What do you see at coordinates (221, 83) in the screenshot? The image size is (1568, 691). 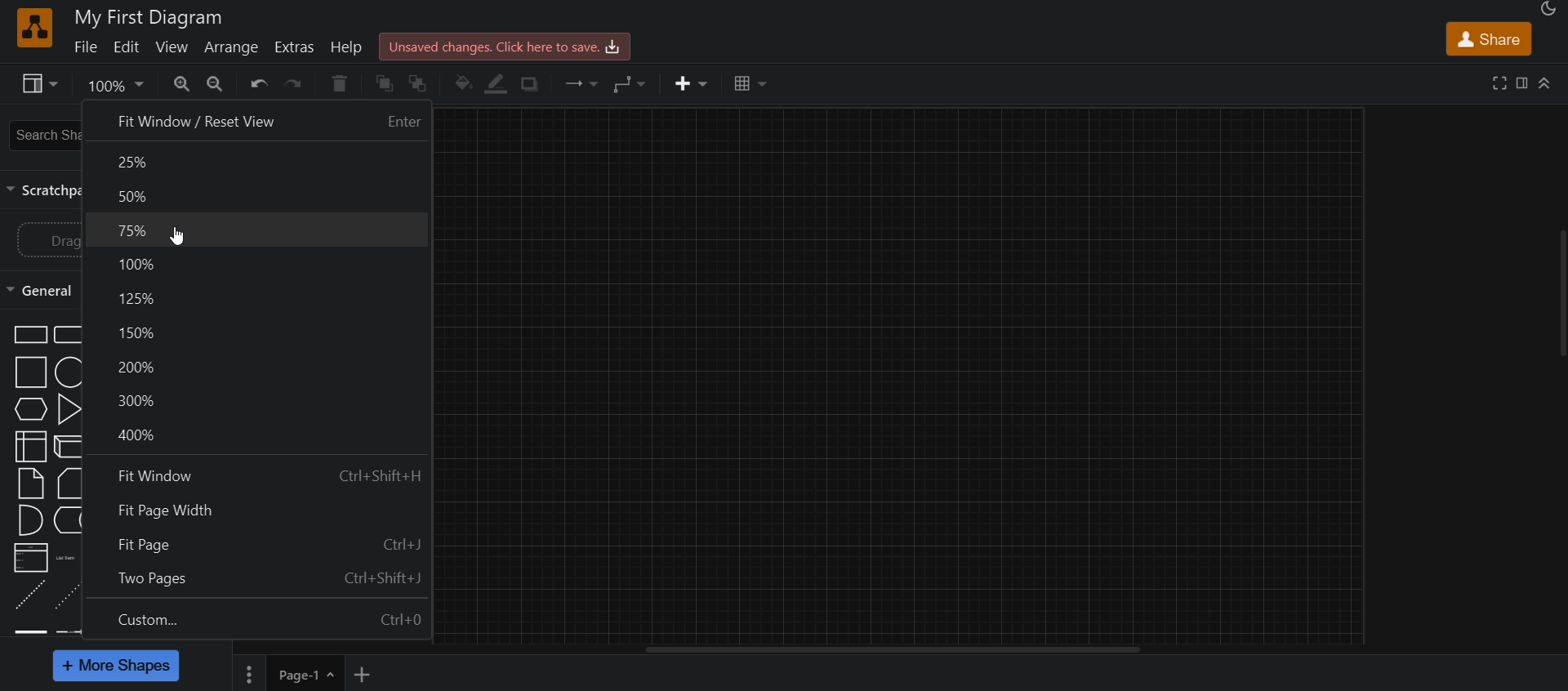 I see `zoom in` at bounding box center [221, 83].